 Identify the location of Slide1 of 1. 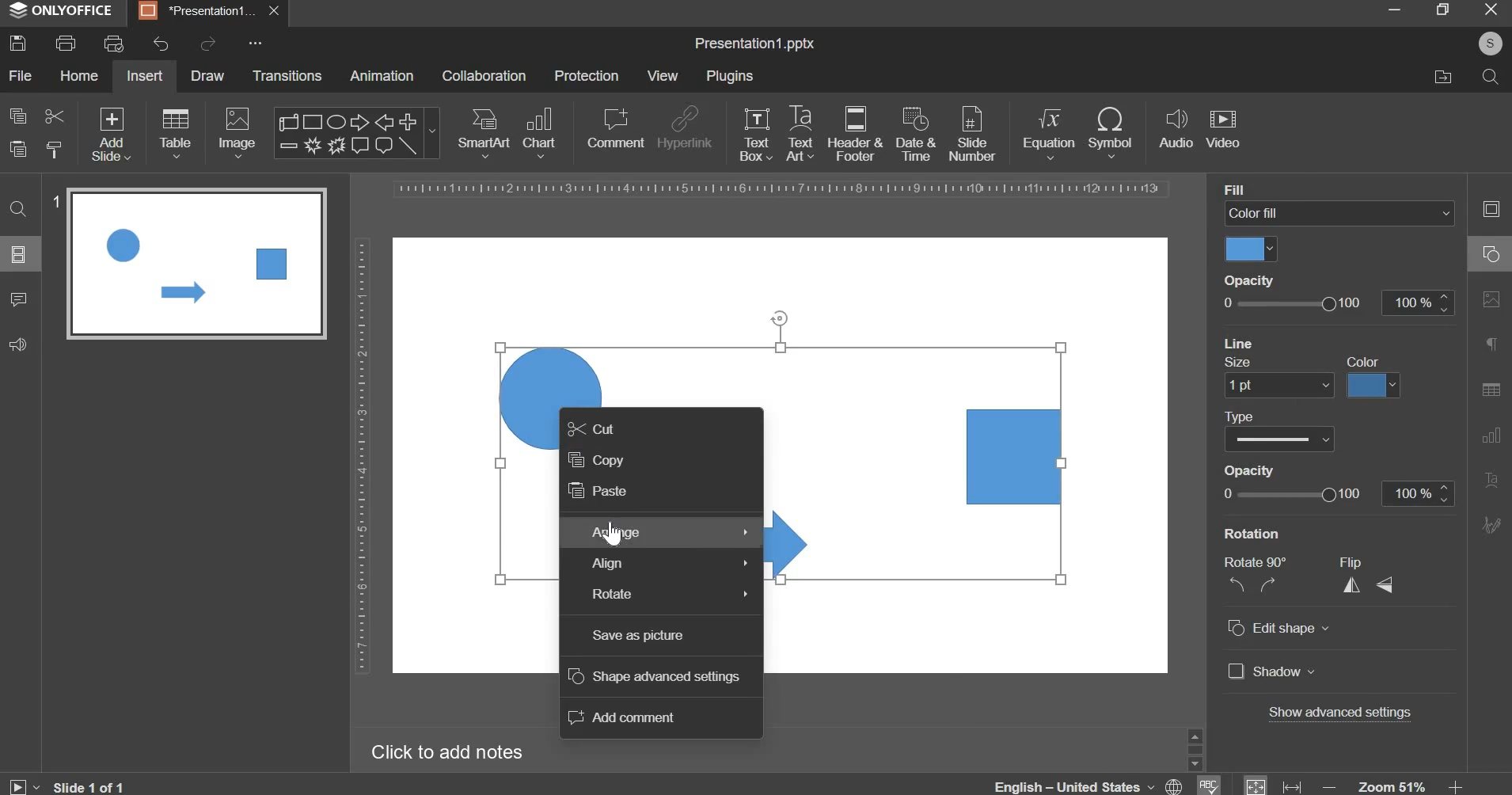
(89, 786).